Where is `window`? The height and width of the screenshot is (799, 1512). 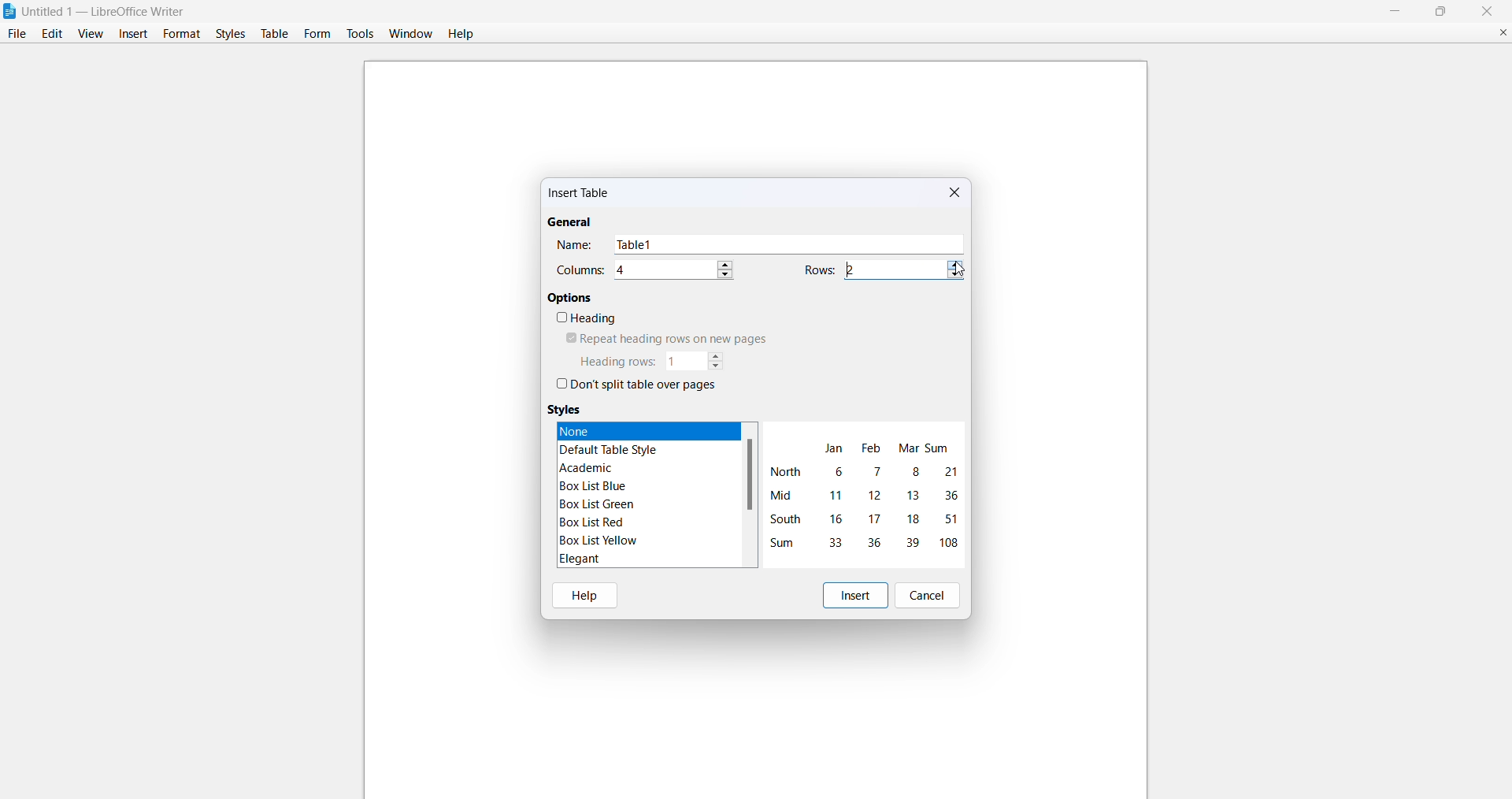
window is located at coordinates (408, 33).